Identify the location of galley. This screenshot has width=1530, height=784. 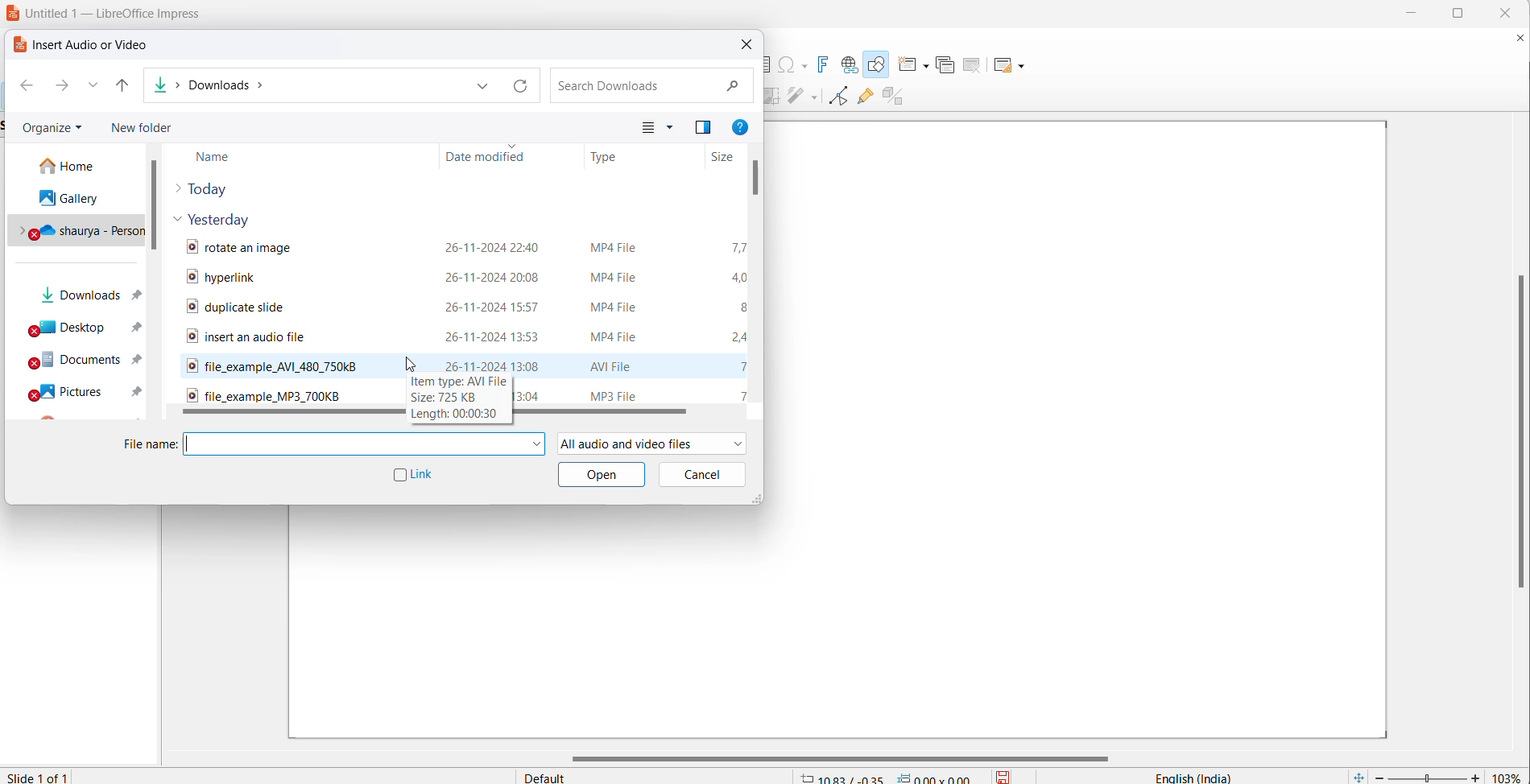
(73, 195).